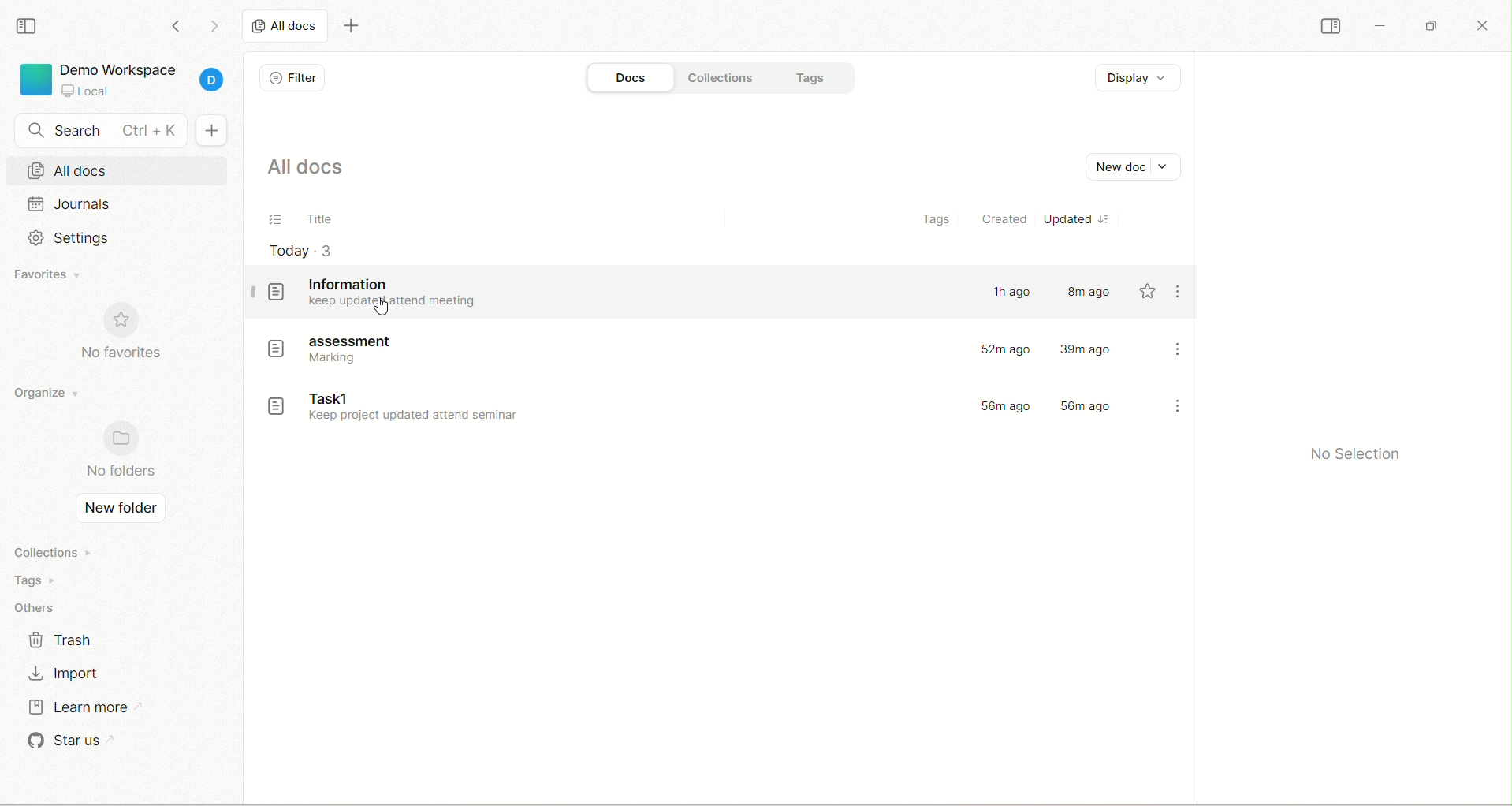 The image size is (1512, 806). I want to click on close, so click(1484, 28).